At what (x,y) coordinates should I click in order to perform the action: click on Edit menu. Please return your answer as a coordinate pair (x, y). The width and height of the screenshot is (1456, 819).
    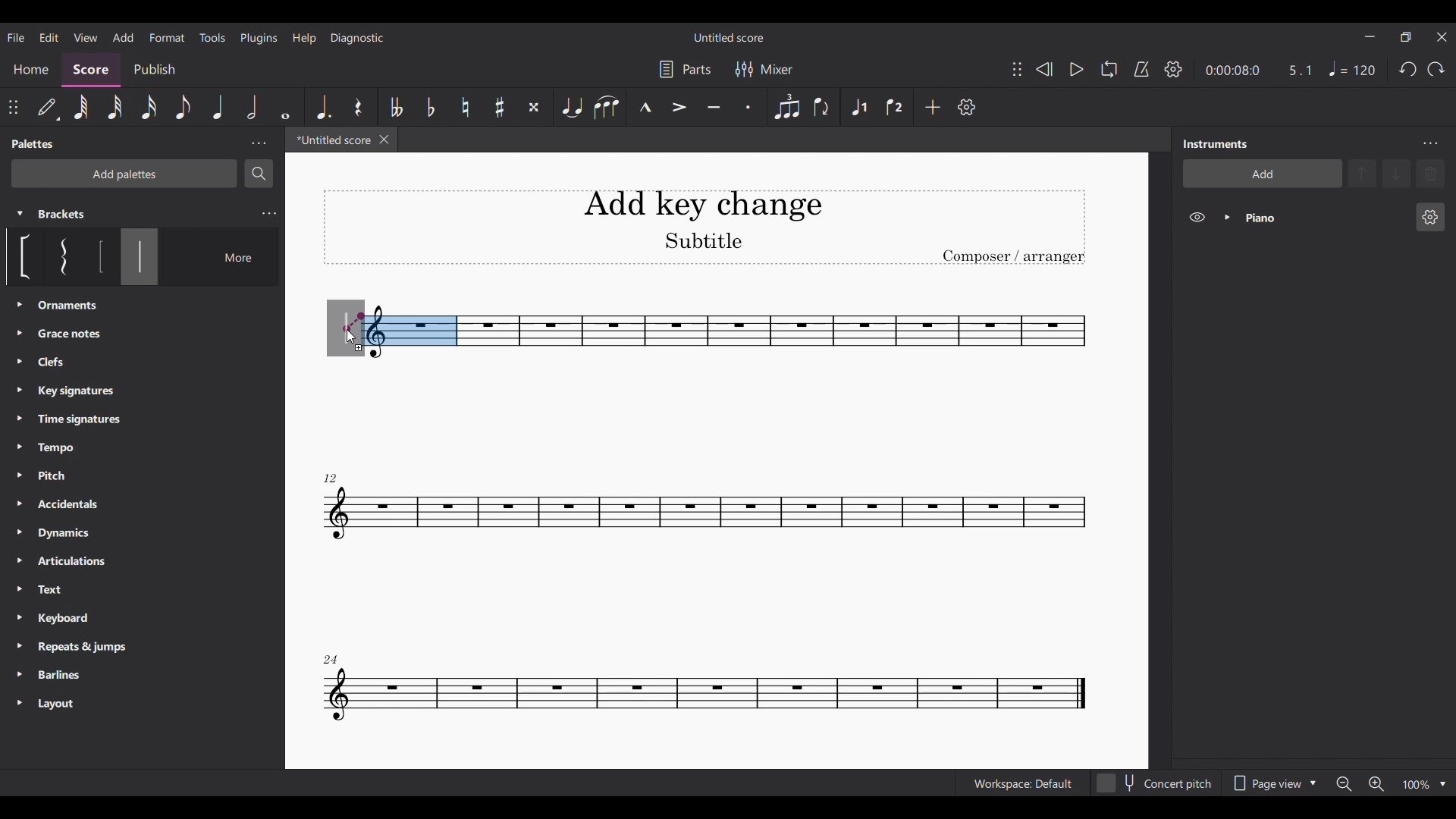
    Looking at the image, I should click on (49, 38).